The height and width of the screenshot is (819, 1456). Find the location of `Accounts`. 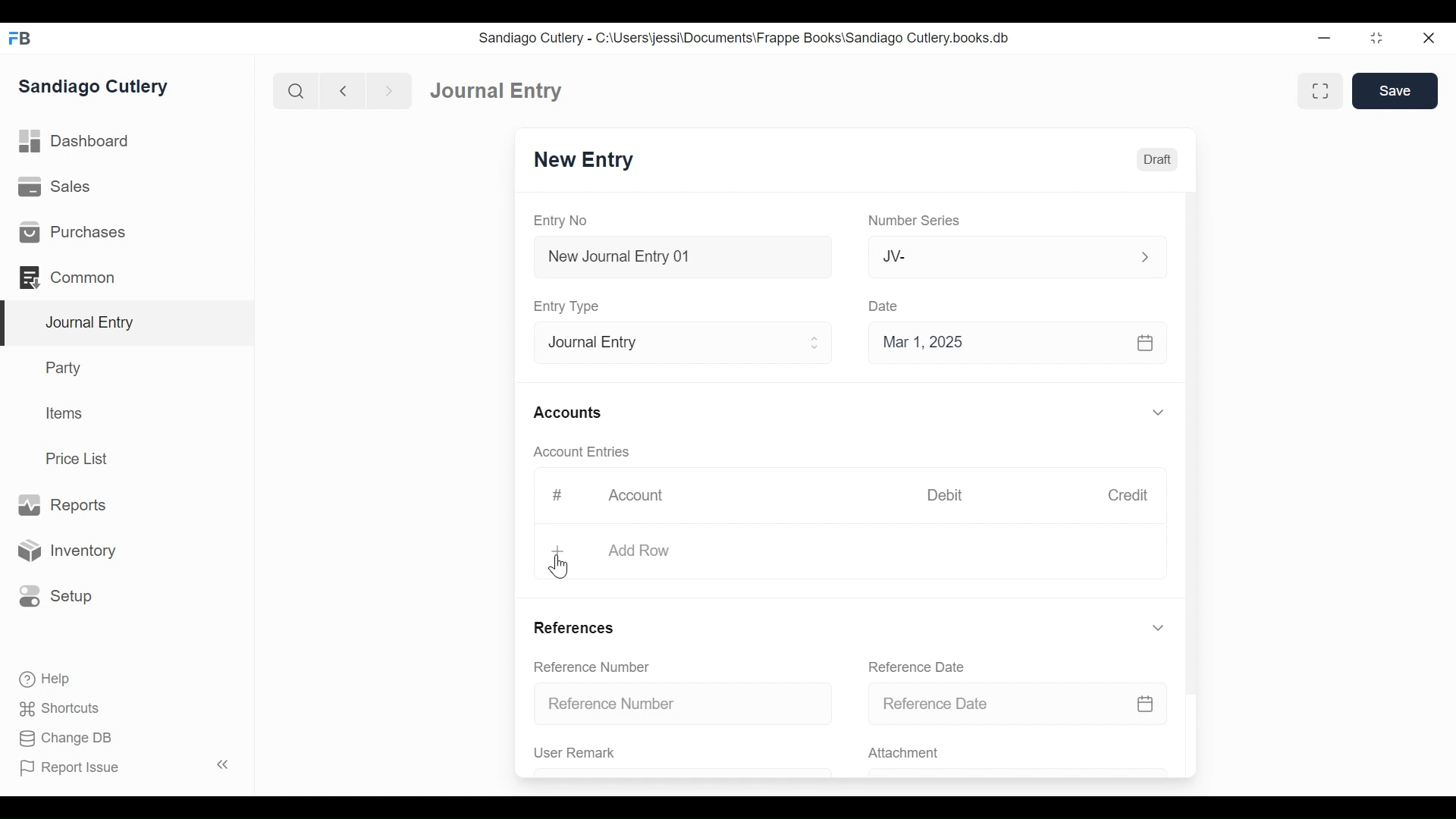

Accounts is located at coordinates (566, 413).